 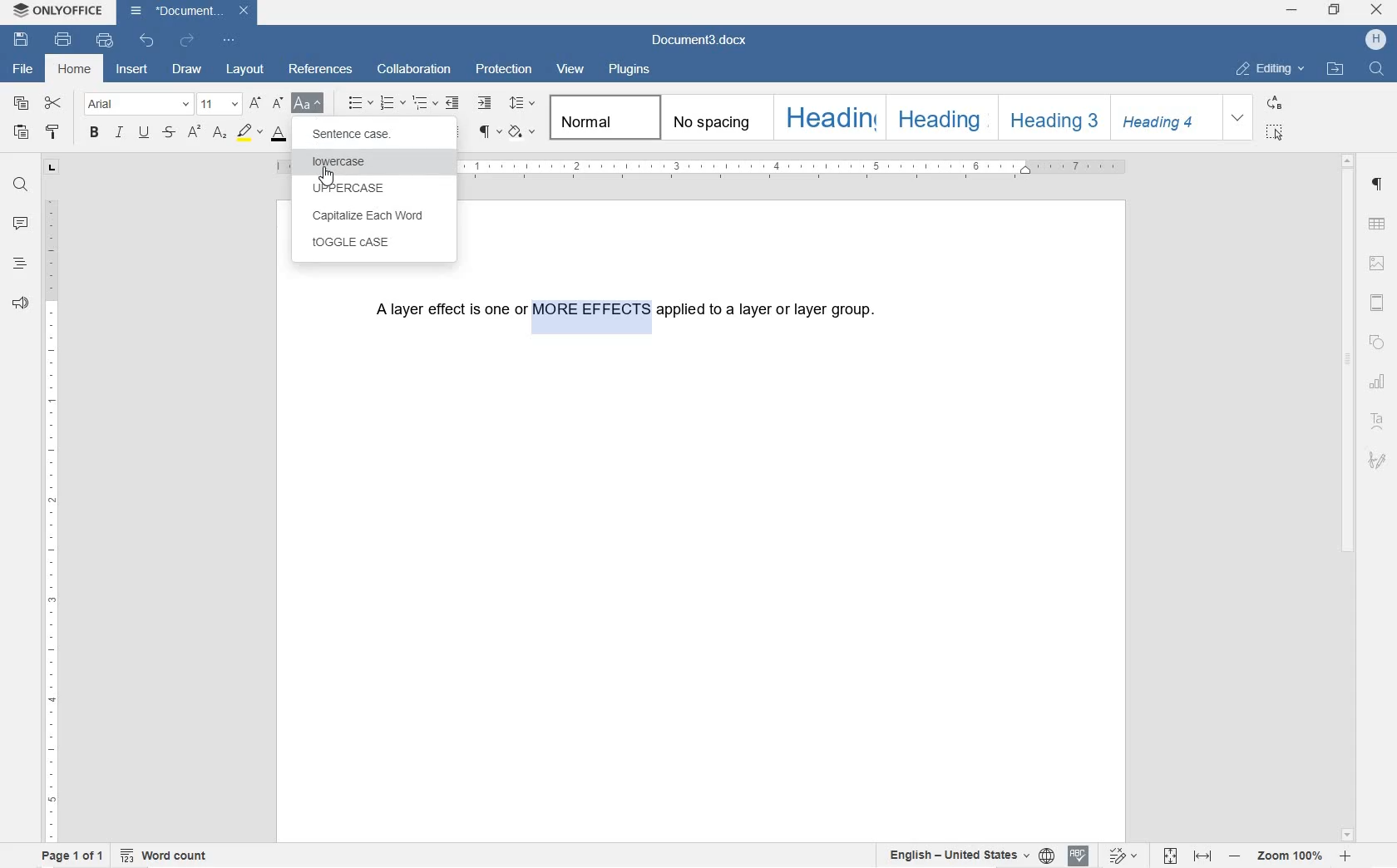 I want to click on SPELL CHECKING, so click(x=1079, y=855).